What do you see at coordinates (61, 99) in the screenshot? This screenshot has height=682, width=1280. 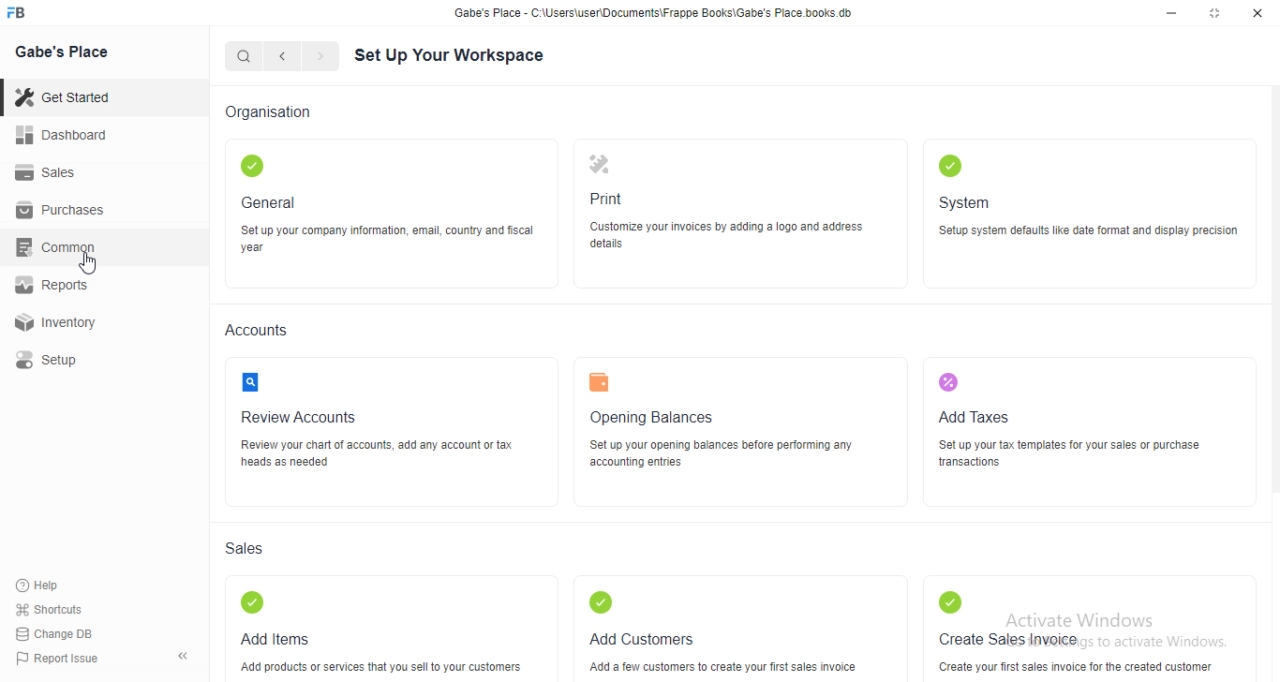 I see `Get Started` at bounding box center [61, 99].